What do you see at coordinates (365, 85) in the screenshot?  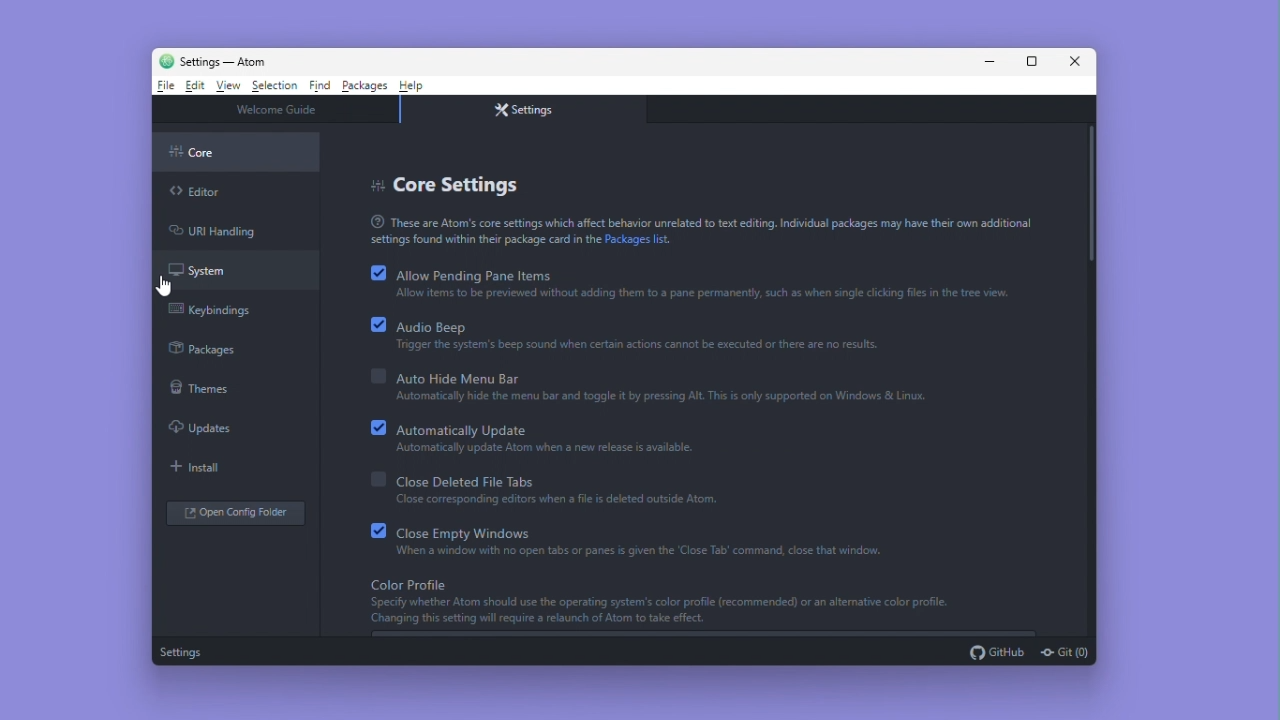 I see `Packages` at bounding box center [365, 85].